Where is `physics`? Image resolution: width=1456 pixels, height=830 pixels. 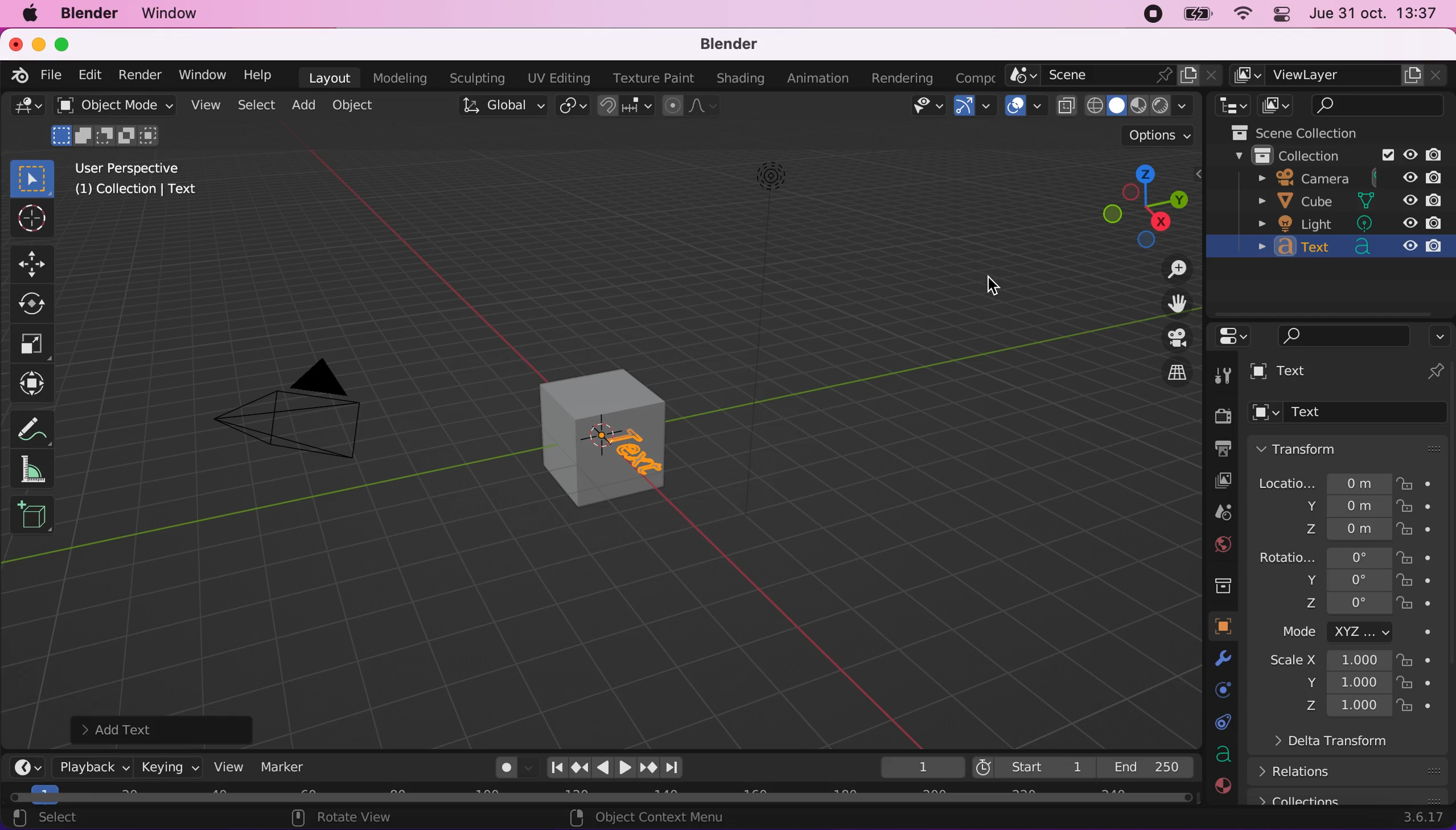 physics is located at coordinates (1221, 691).